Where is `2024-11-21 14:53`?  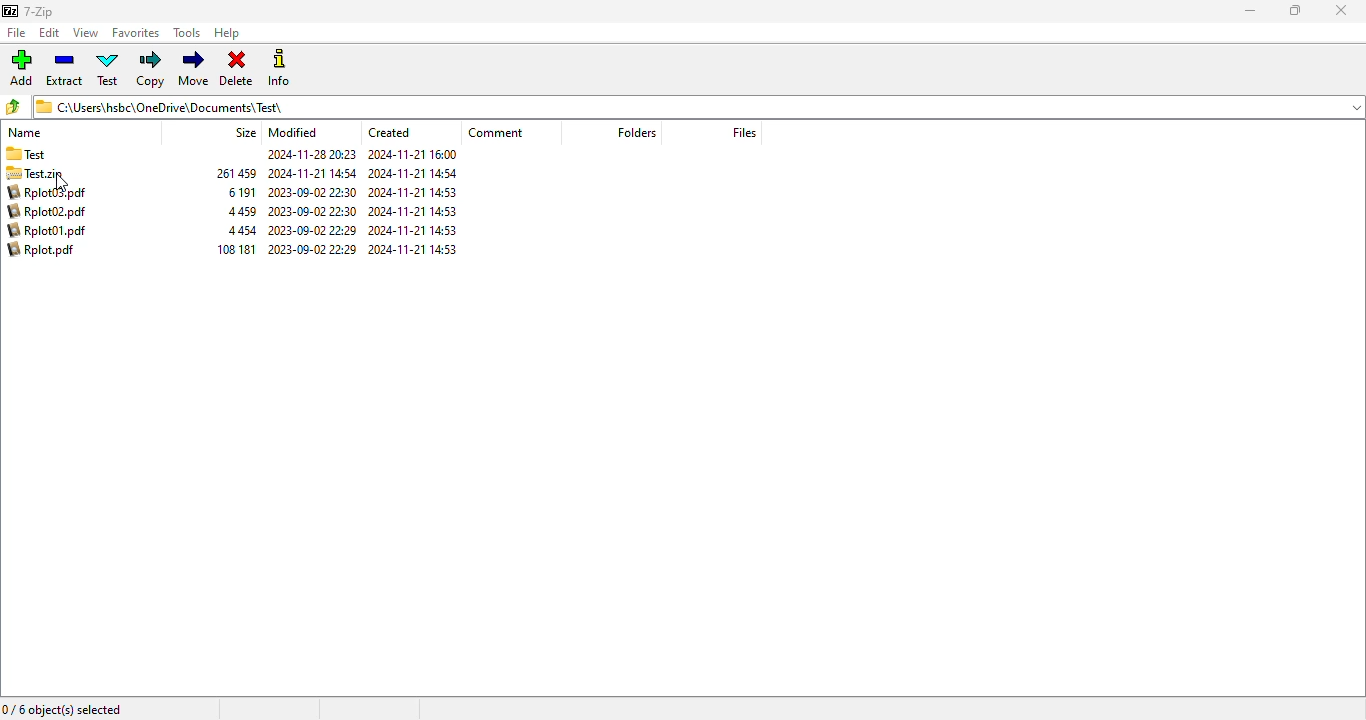 2024-11-21 14:53 is located at coordinates (416, 249).